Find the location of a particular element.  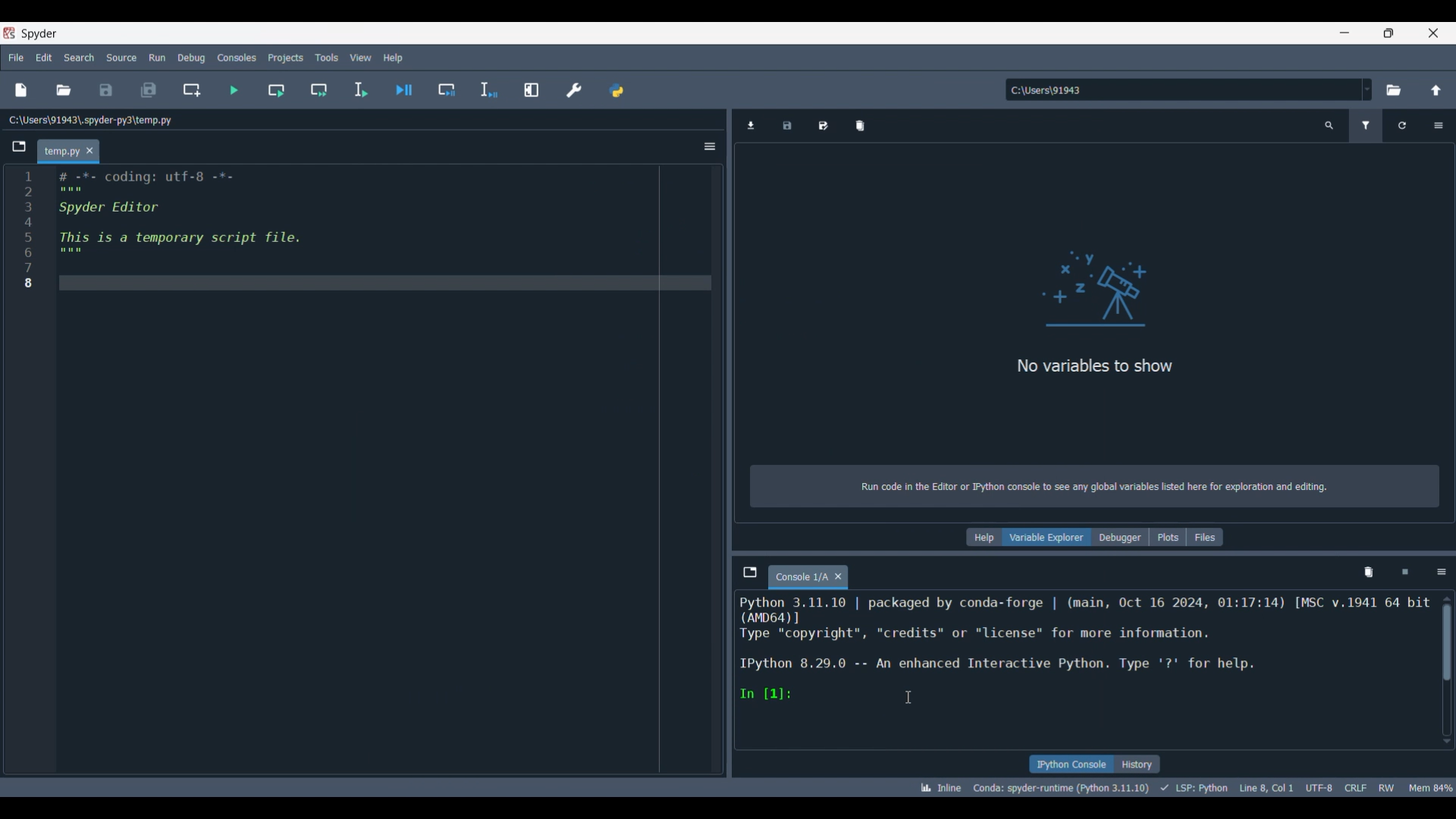

Details of current code is located at coordinates (1185, 787).